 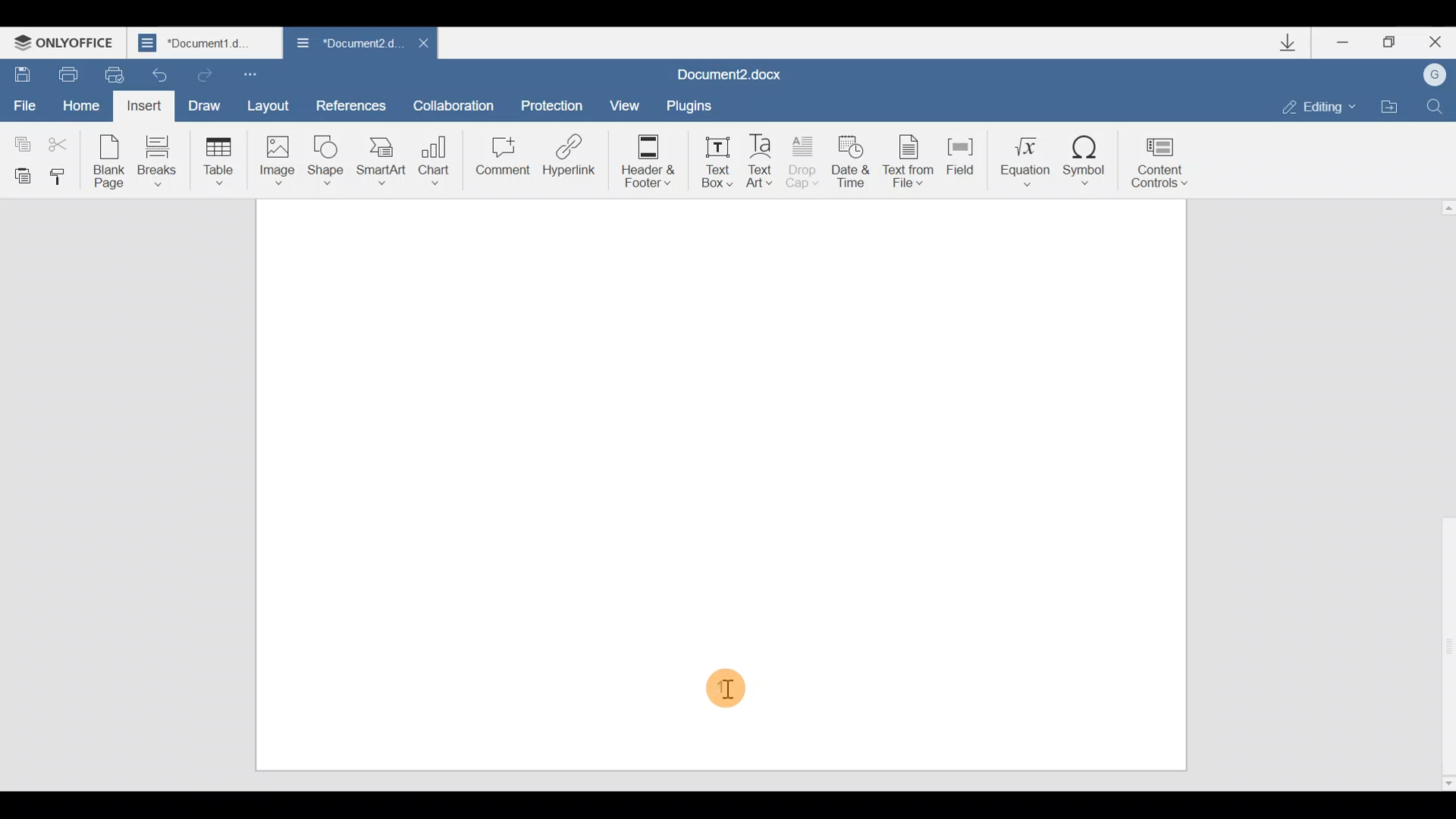 What do you see at coordinates (1090, 155) in the screenshot?
I see `Symbol` at bounding box center [1090, 155].